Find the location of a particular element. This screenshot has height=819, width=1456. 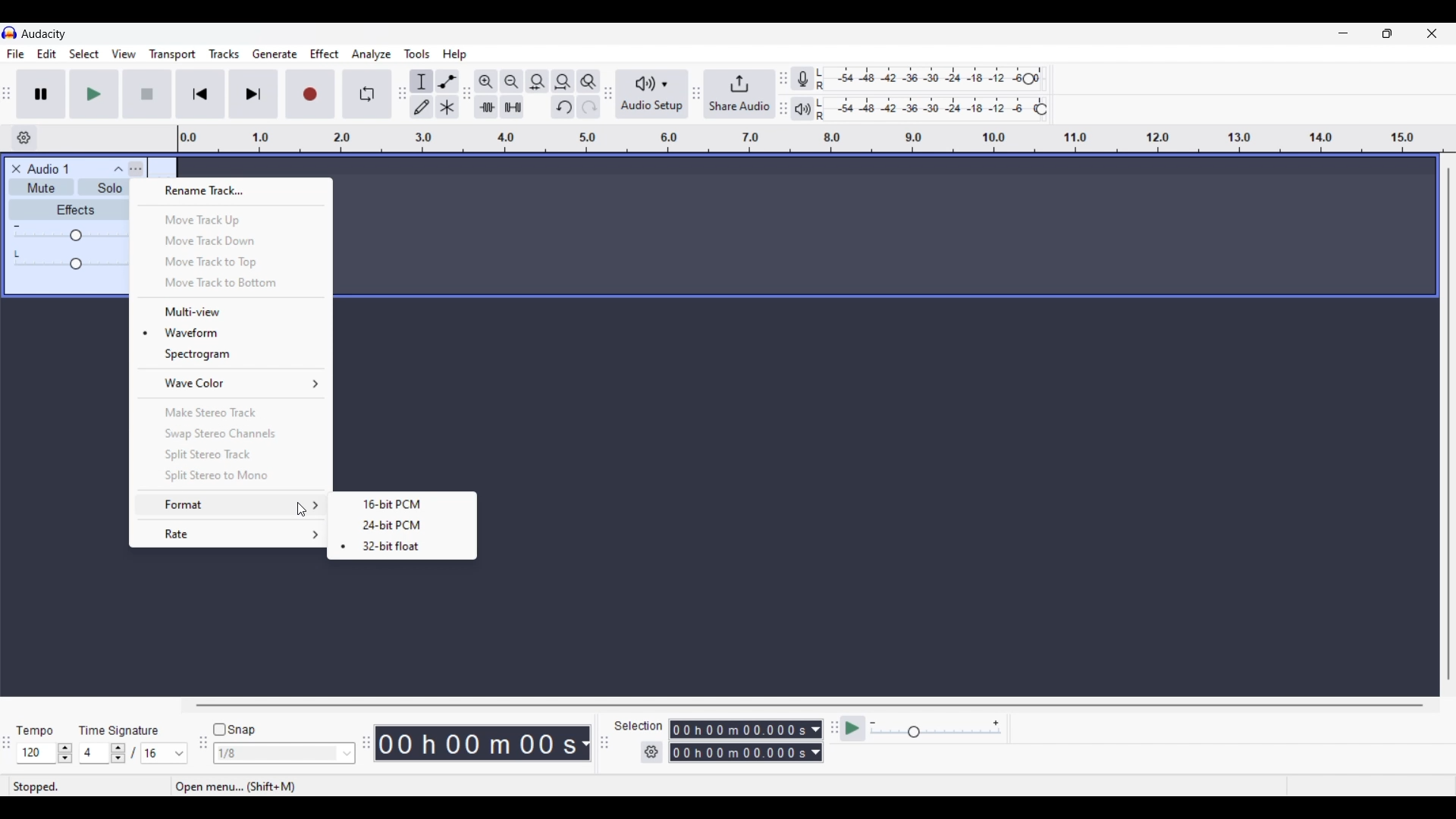

Time Signature is located at coordinates (121, 730).